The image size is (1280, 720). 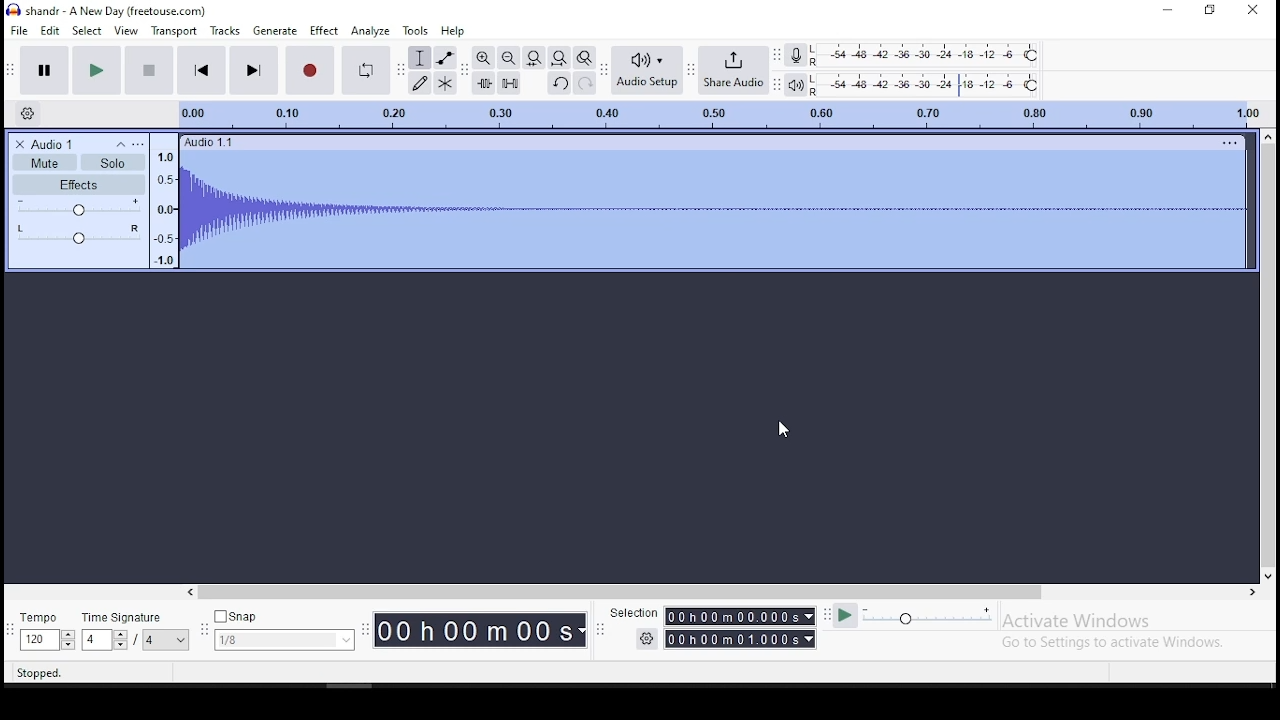 What do you see at coordinates (1227, 143) in the screenshot?
I see `track options` at bounding box center [1227, 143].